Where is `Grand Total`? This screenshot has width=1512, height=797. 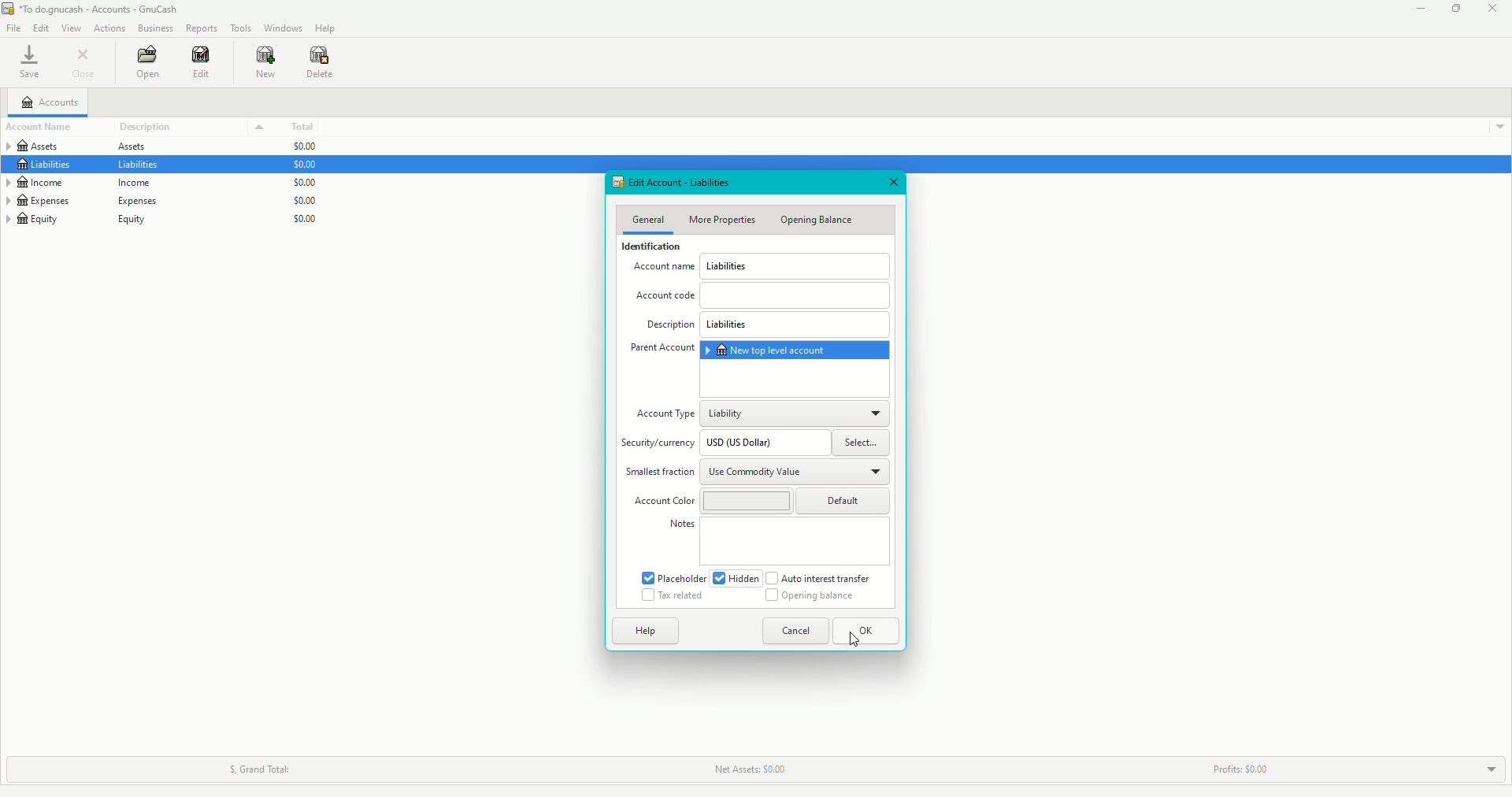
Grand Total is located at coordinates (258, 770).